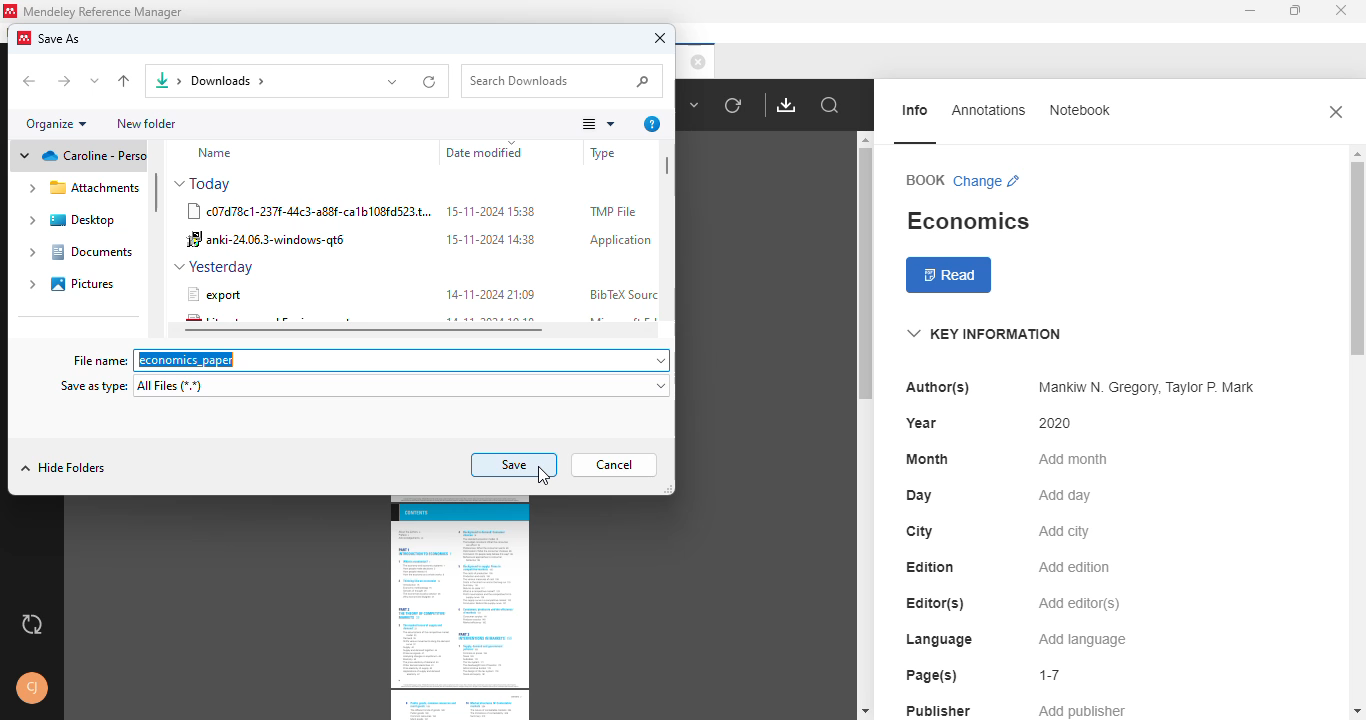 The height and width of the screenshot is (720, 1366). I want to click on attachments, so click(84, 188).